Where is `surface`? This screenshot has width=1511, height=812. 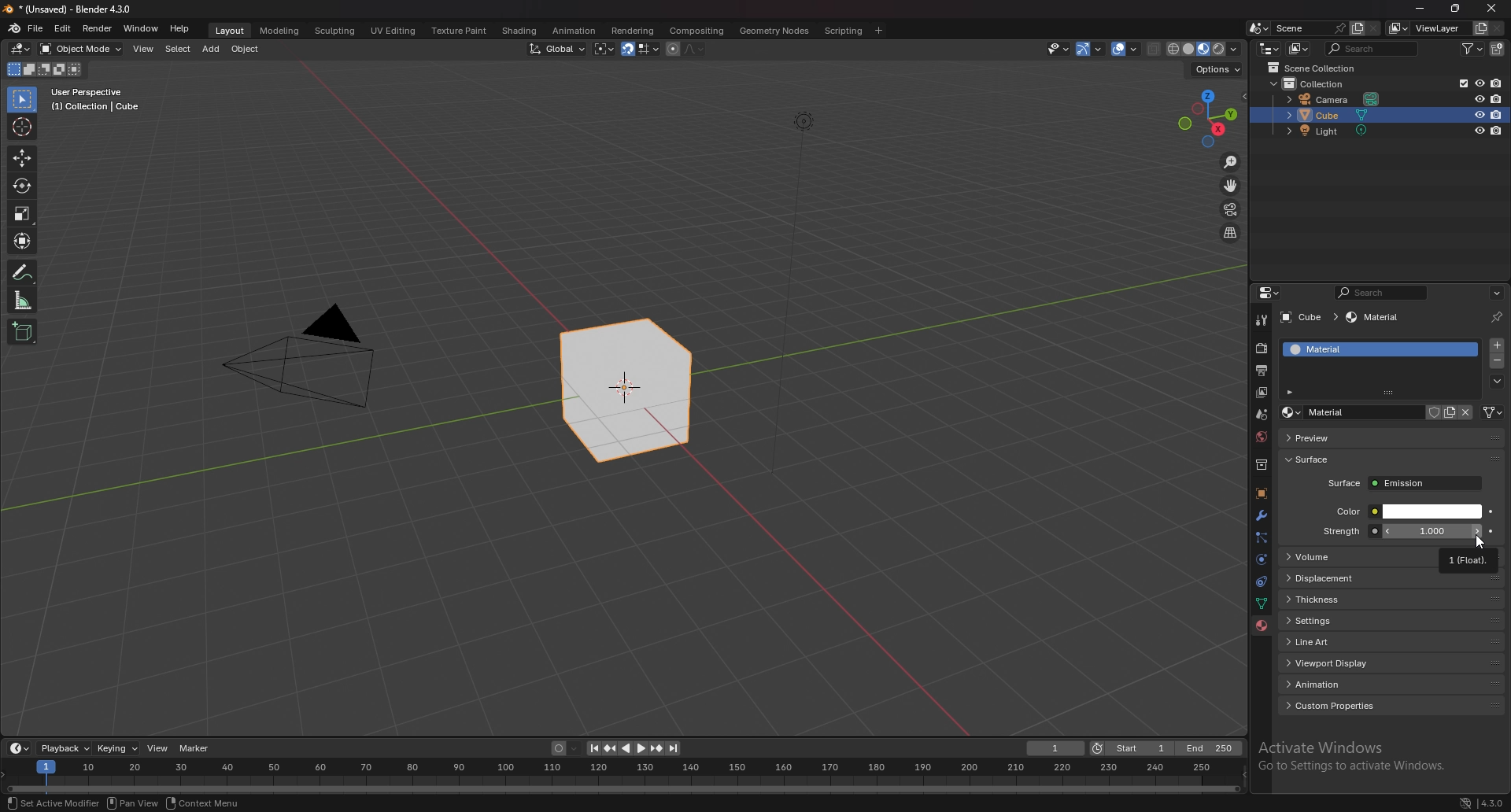
surface is located at coordinates (1404, 483).